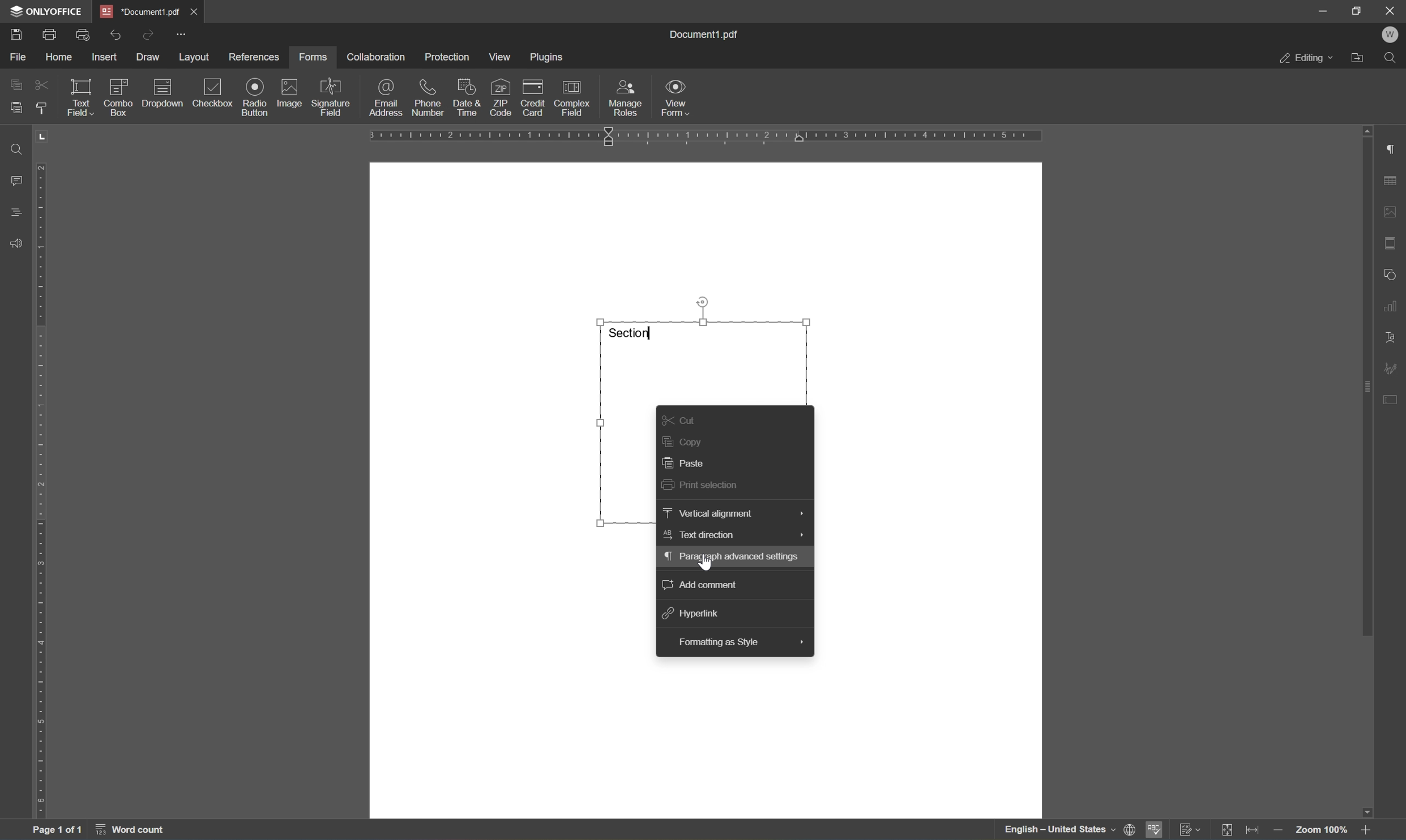 The height and width of the screenshot is (840, 1406). Describe the element at coordinates (105, 57) in the screenshot. I see `insert` at that location.